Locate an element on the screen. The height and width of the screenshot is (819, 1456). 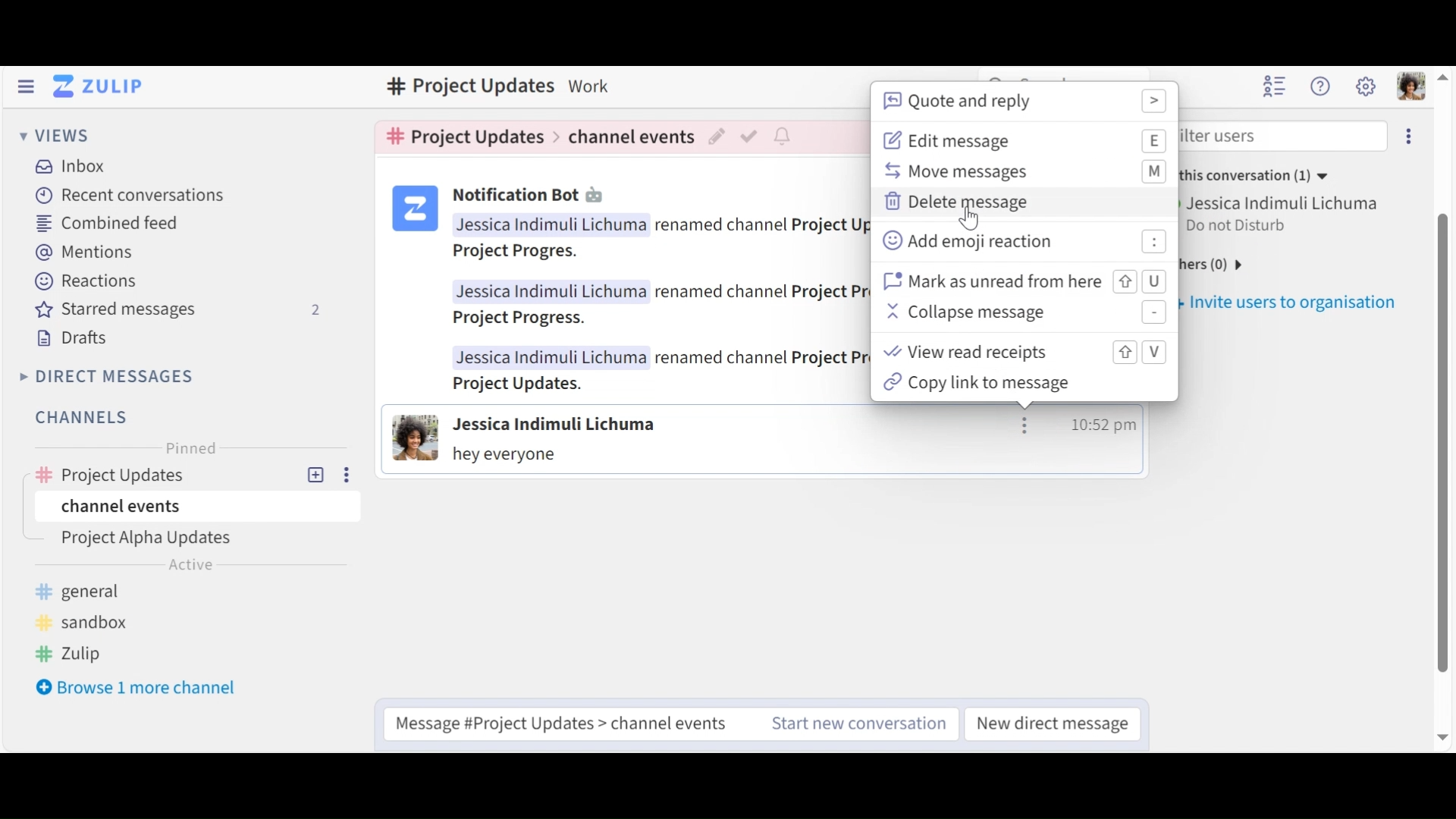
Channel events is located at coordinates (193, 507).